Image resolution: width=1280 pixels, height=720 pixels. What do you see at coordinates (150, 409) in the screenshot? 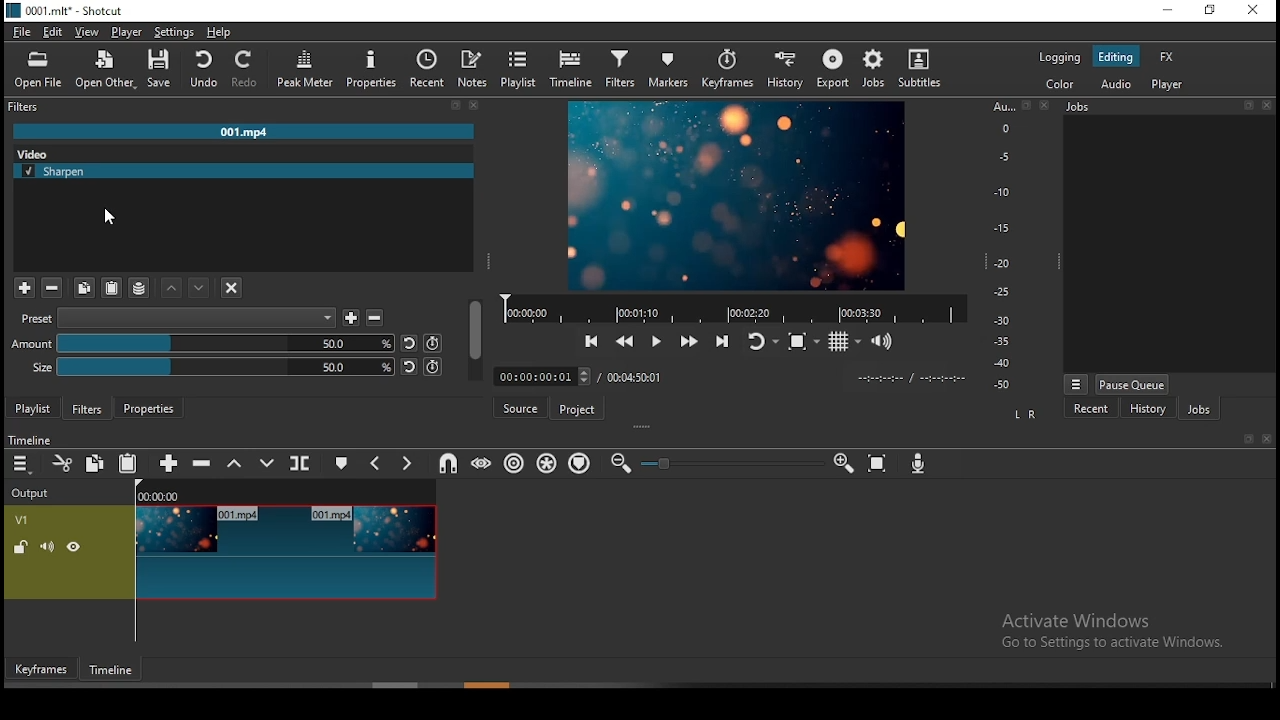
I see `properties` at bounding box center [150, 409].